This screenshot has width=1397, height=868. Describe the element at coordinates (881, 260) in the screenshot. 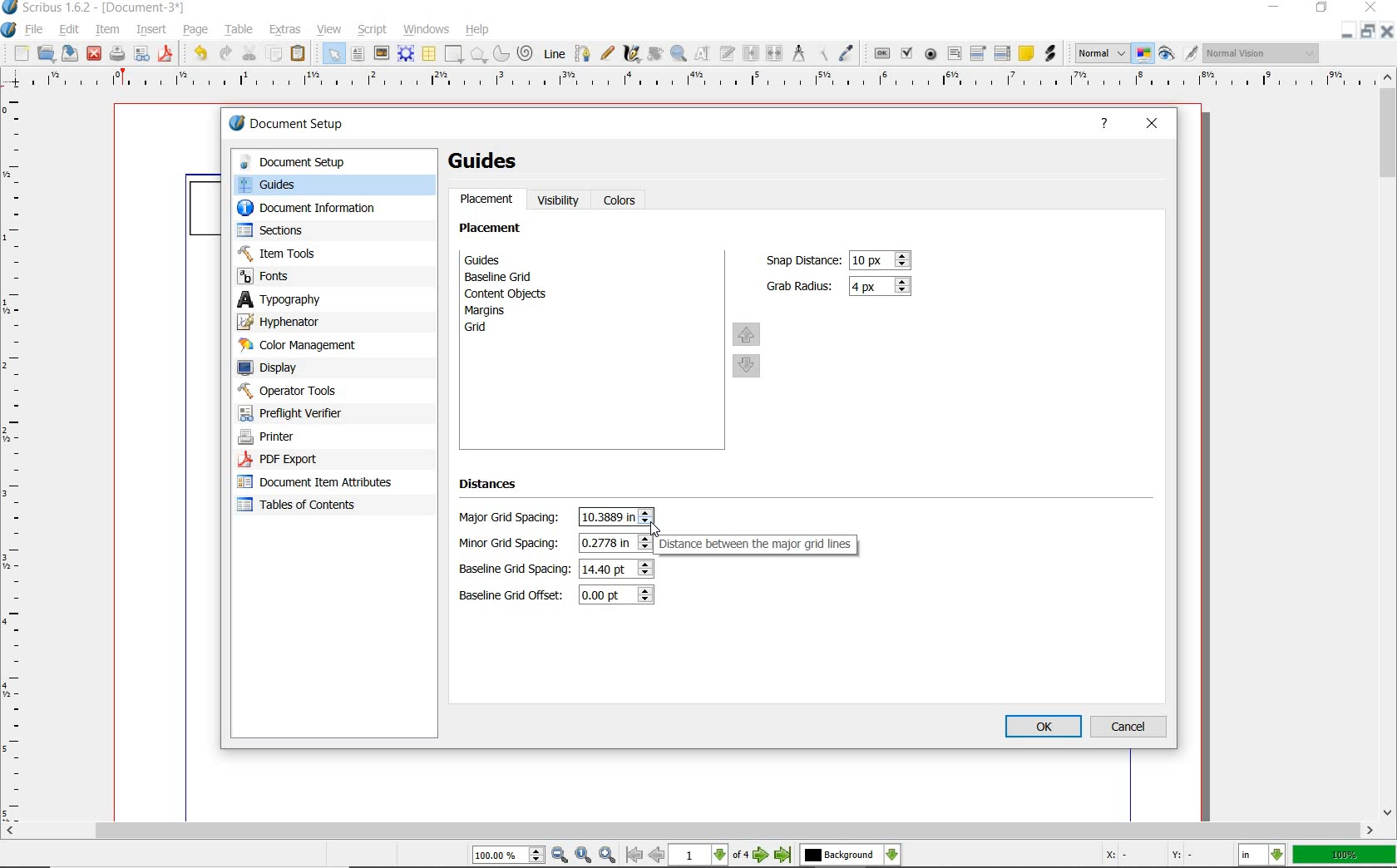

I see `snap distance` at that location.